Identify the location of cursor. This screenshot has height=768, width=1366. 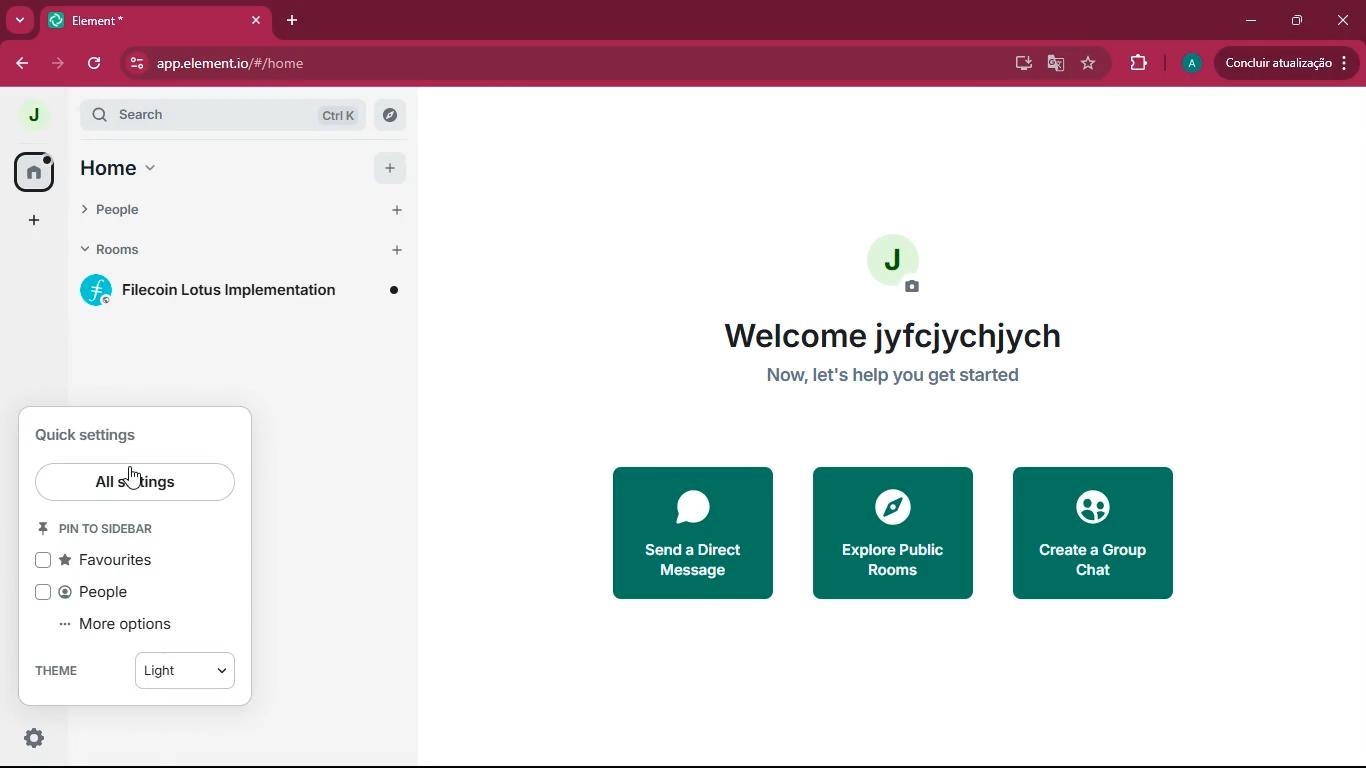
(136, 475).